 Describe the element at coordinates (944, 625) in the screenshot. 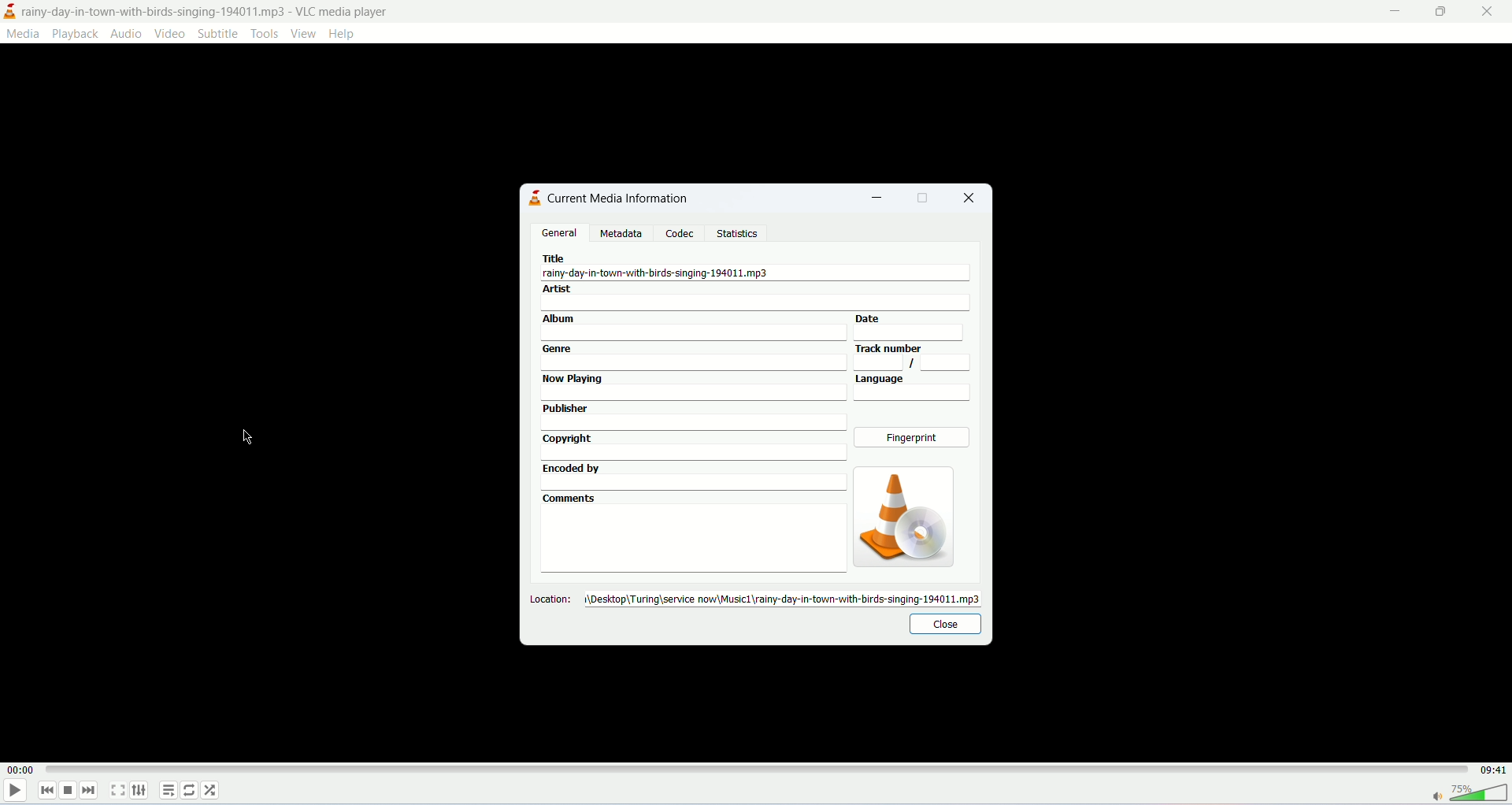

I see `close` at that location.